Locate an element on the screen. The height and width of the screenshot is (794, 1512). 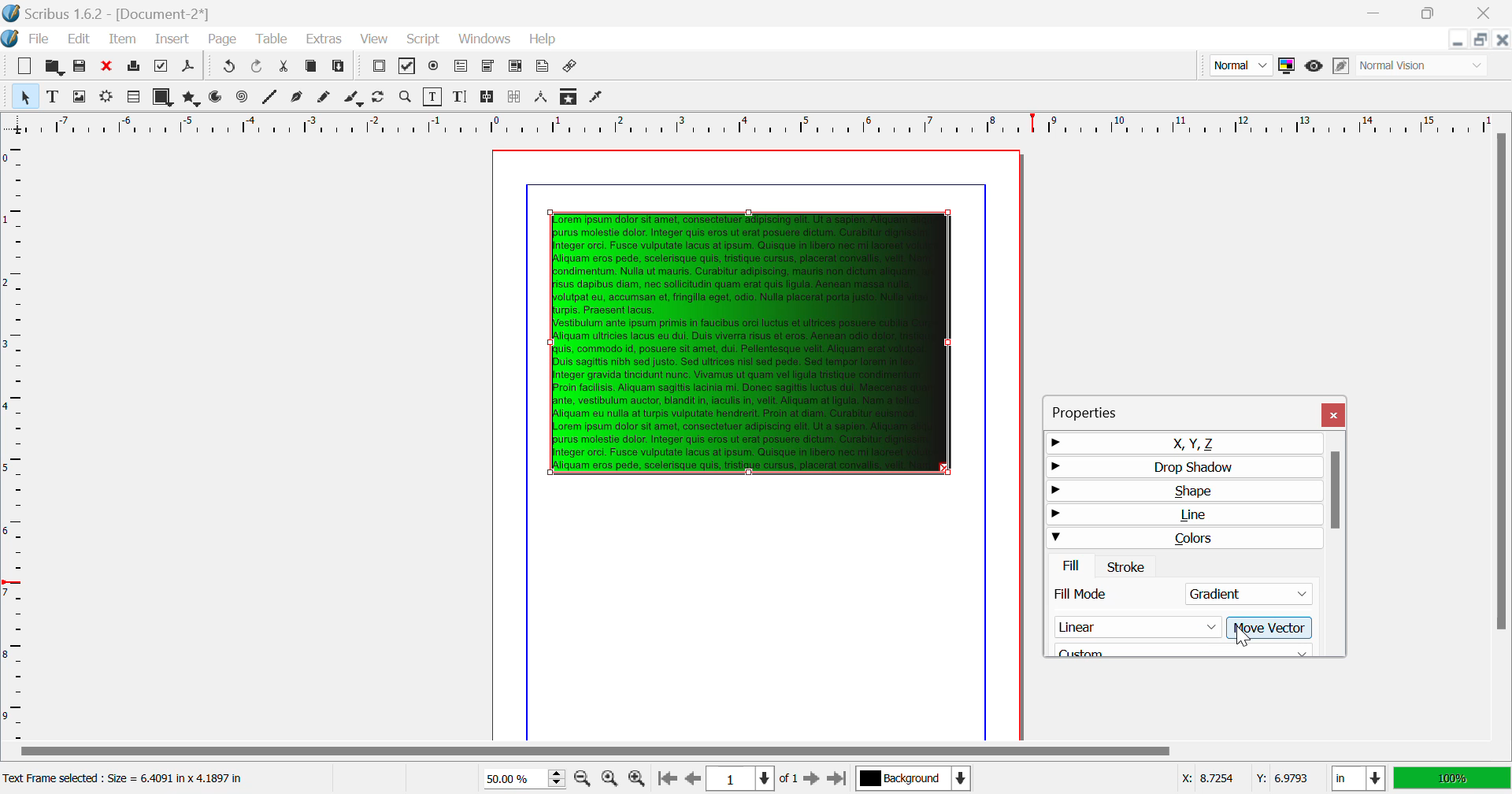
Scroll Bar is located at coordinates (1502, 435).